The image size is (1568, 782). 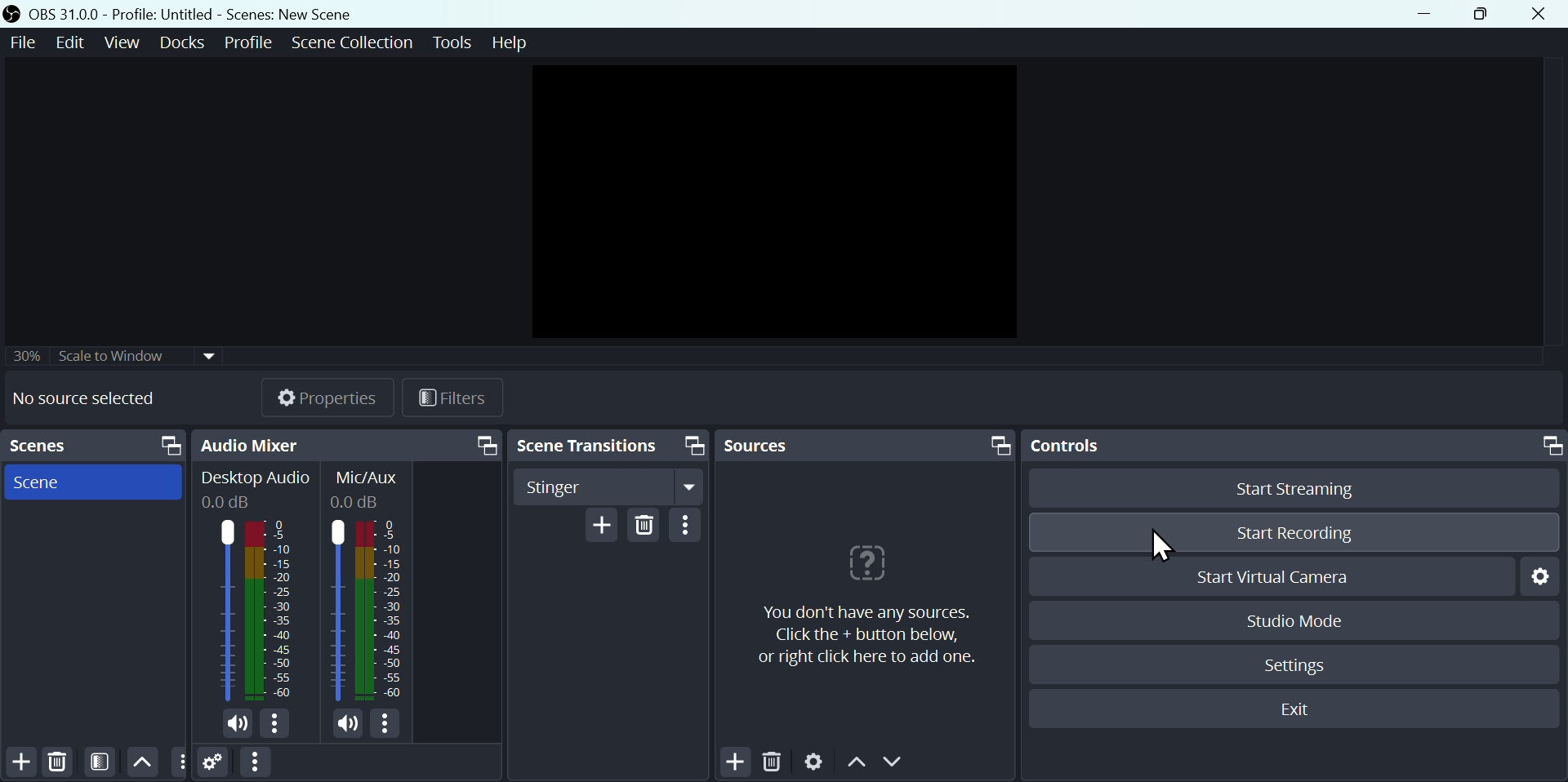 I want to click on Start virtual camera, so click(x=1290, y=575).